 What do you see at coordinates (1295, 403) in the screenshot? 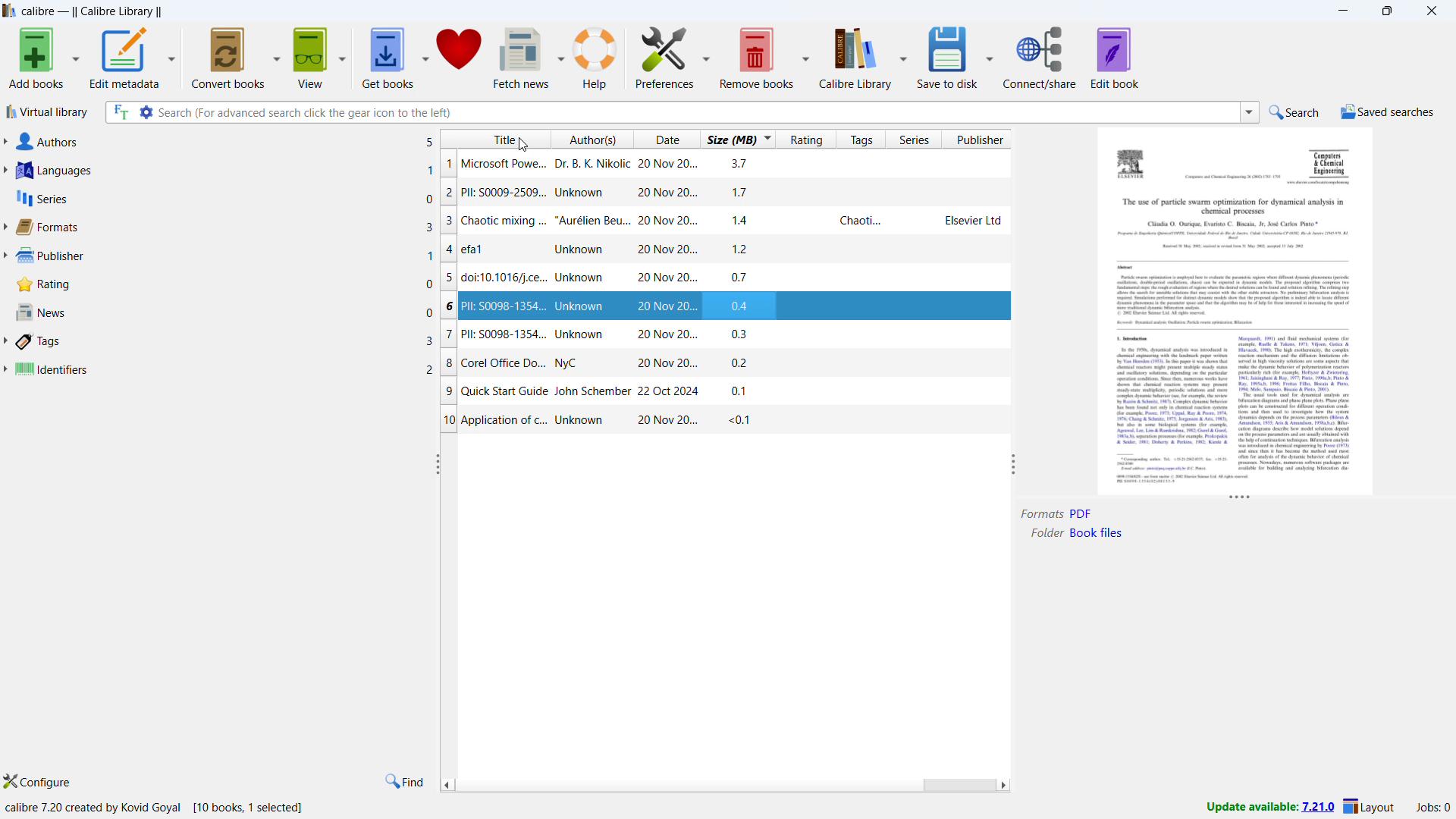
I see `` at bounding box center [1295, 403].